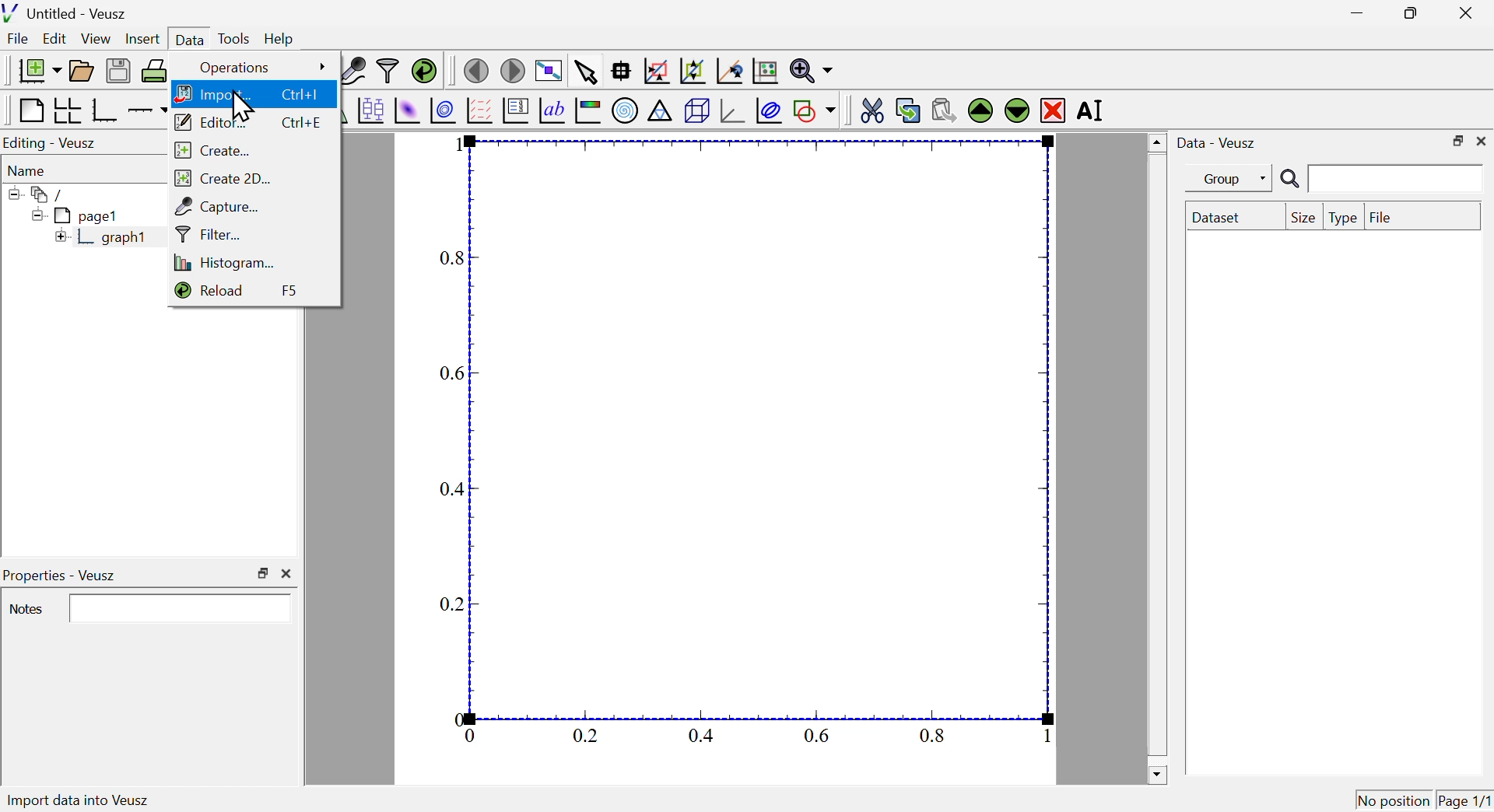 This screenshot has width=1494, height=812. What do you see at coordinates (1053, 110) in the screenshot?
I see `remove the selected widget` at bounding box center [1053, 110].